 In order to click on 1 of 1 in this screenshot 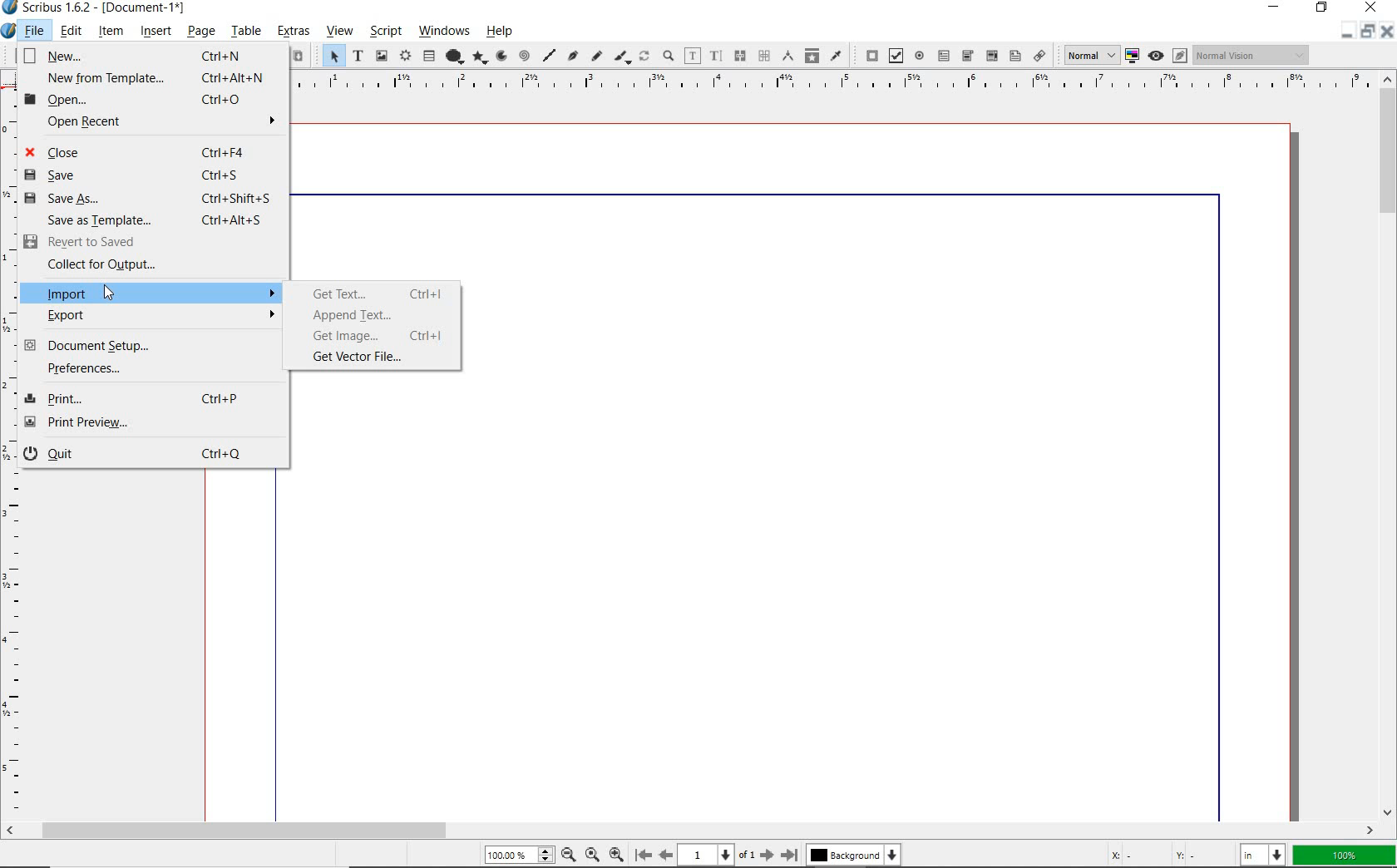, I will do `click(717, 856)`.